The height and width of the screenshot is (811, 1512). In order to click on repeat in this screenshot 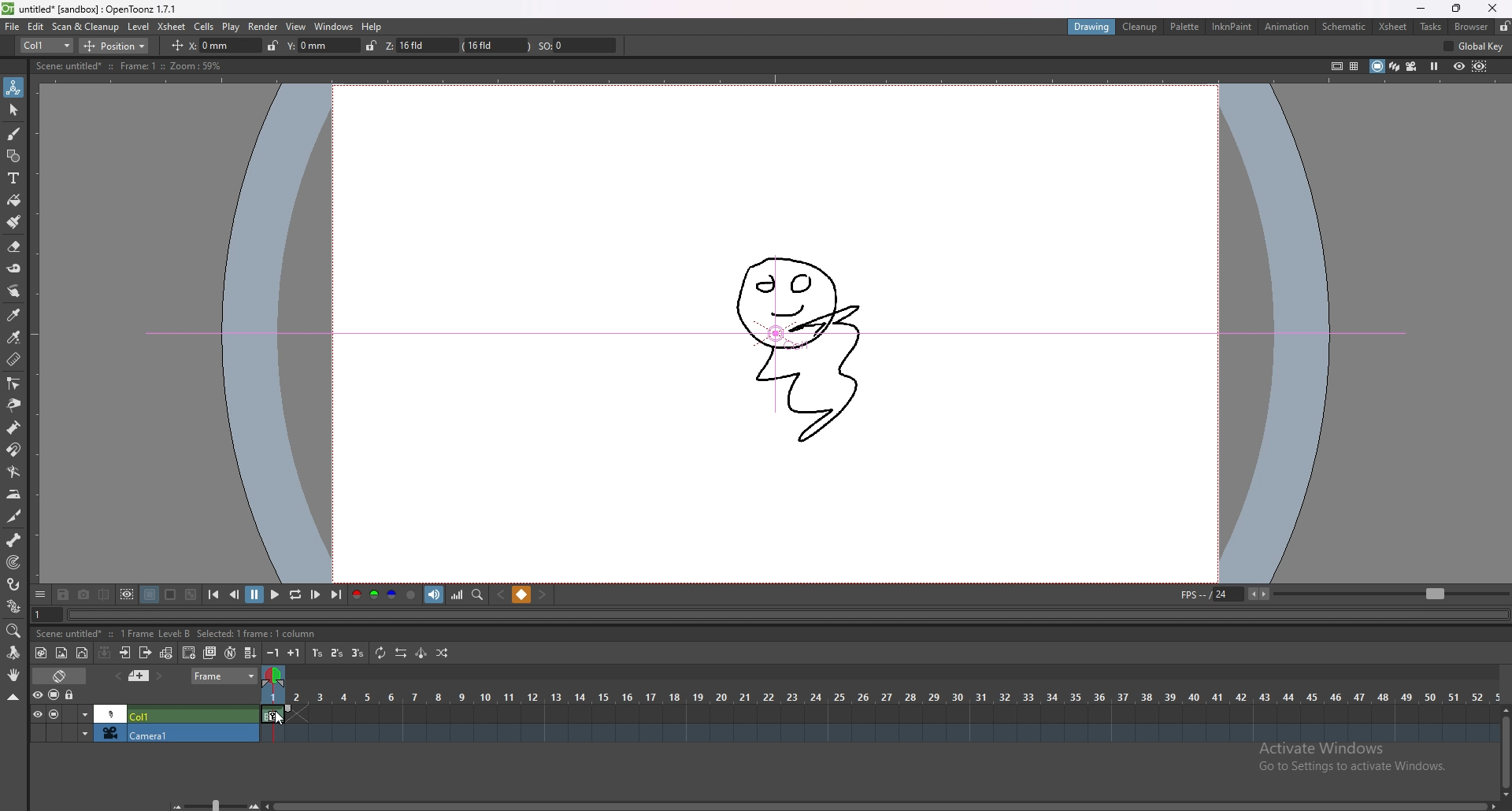, I will do `click(379, 654)`.